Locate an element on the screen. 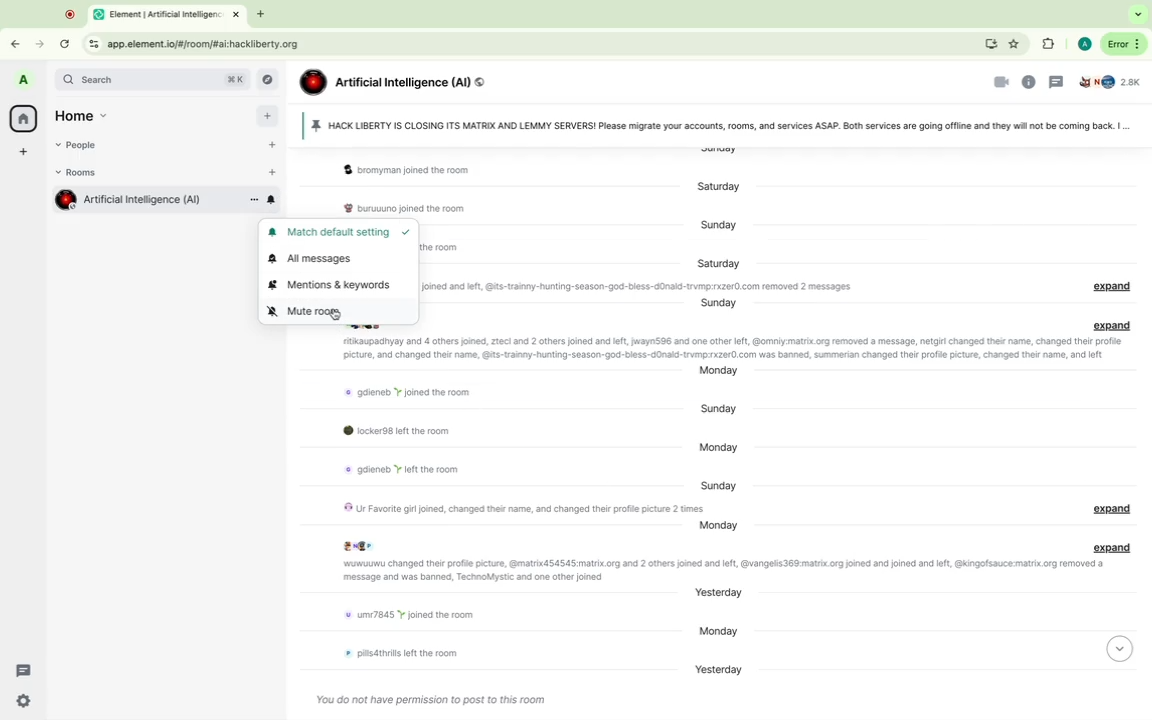 The width and height of the screenshot is (1152, 720). Message is located at coordinates (717, 570).